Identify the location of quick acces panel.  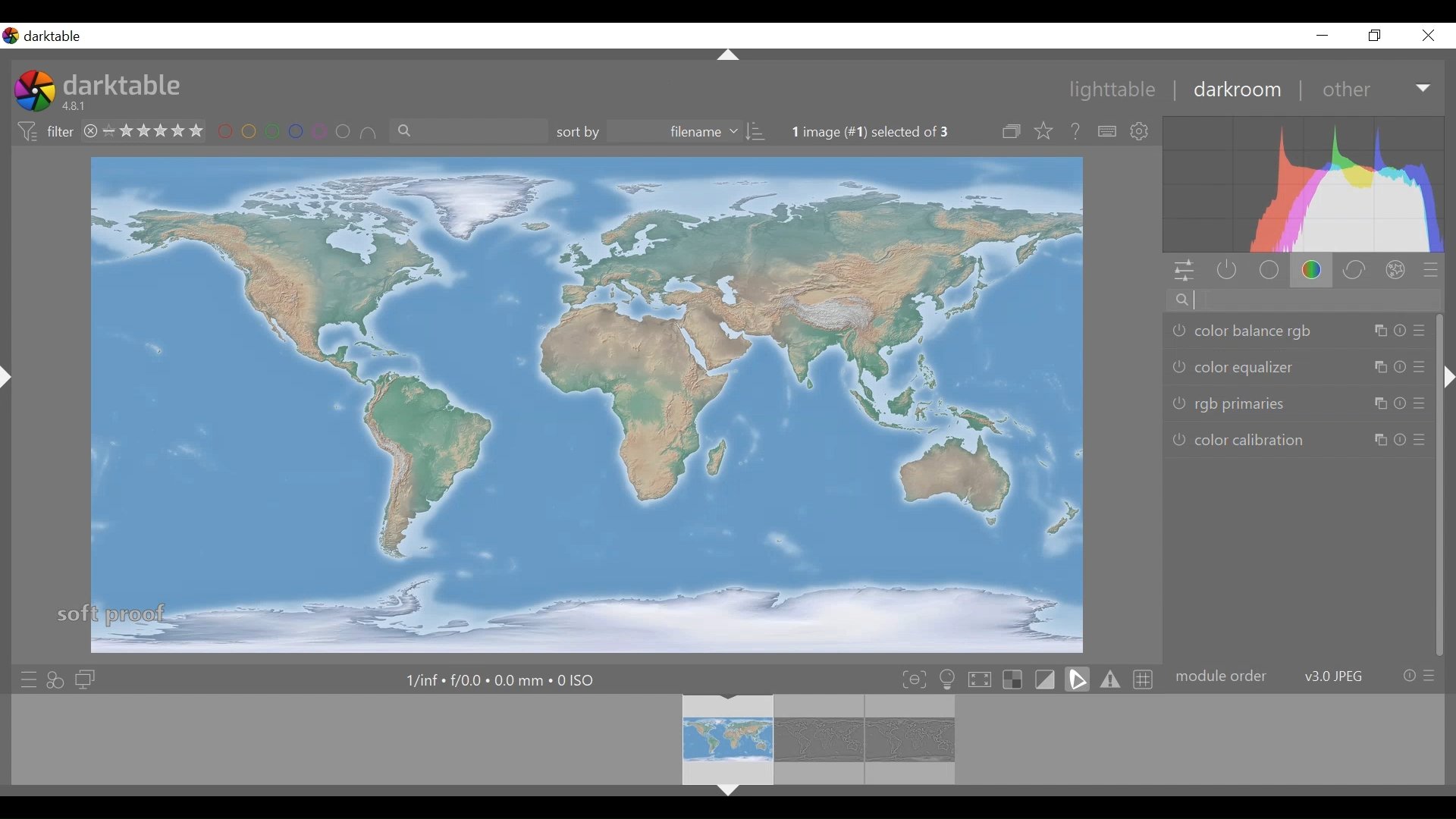
(1184, 271).